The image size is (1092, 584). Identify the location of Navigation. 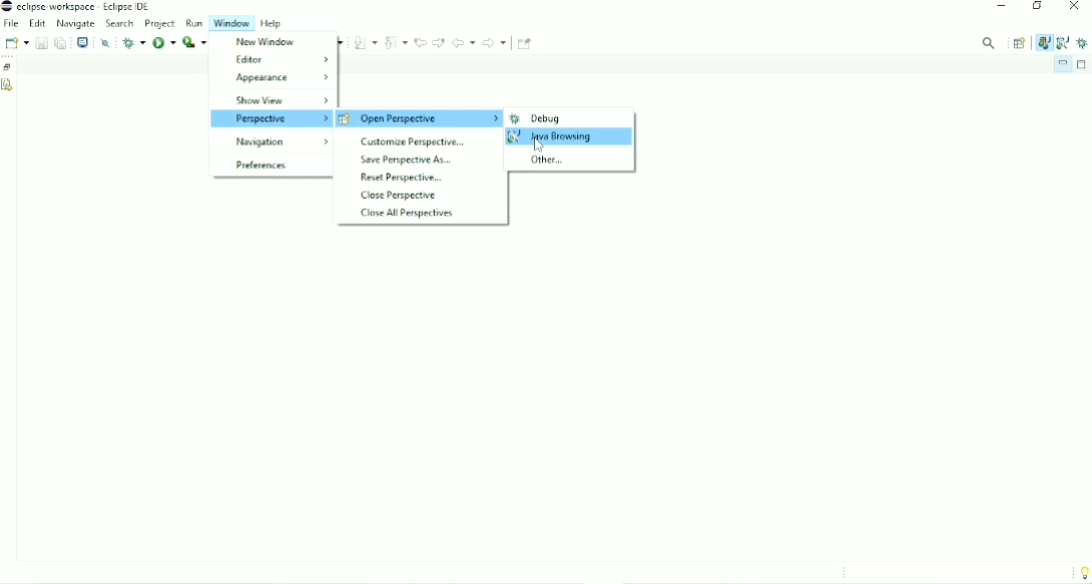
(281, 142).